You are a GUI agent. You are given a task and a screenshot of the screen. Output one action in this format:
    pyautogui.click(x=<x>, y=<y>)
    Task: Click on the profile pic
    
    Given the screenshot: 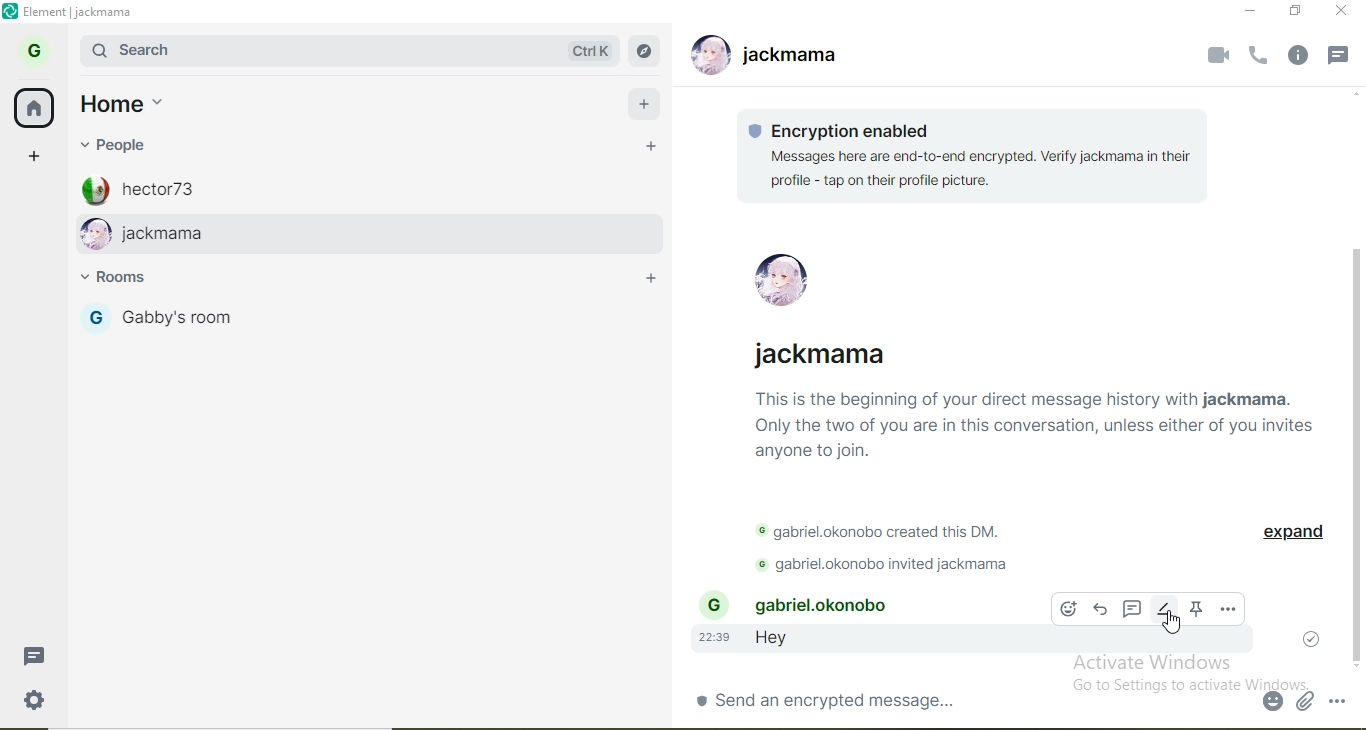 What is the action you would take?
    pyautogui.click(x=781, y=282)
    